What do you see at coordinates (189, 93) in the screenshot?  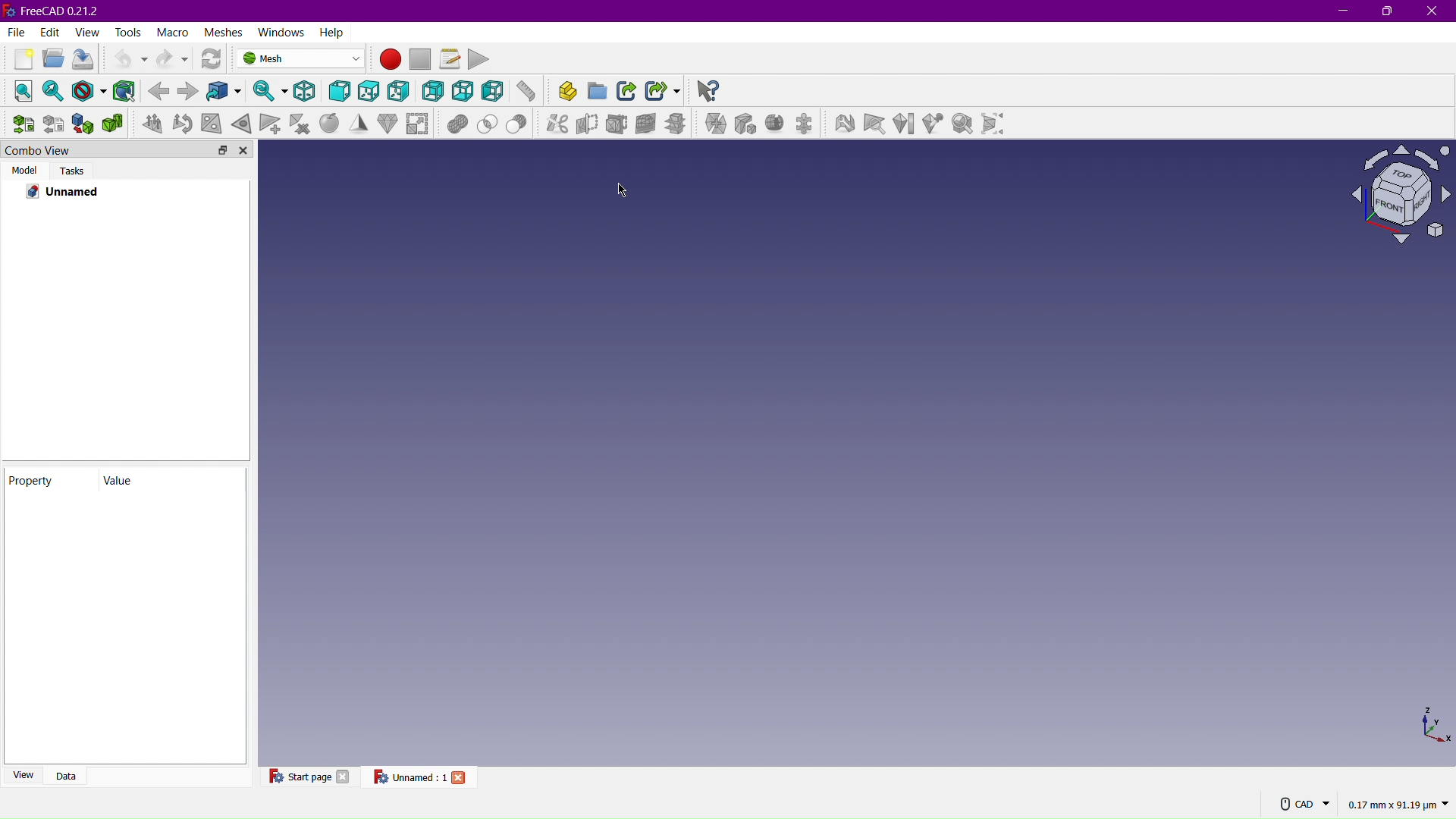 I see `Forward` at bounding box center [189, 93].